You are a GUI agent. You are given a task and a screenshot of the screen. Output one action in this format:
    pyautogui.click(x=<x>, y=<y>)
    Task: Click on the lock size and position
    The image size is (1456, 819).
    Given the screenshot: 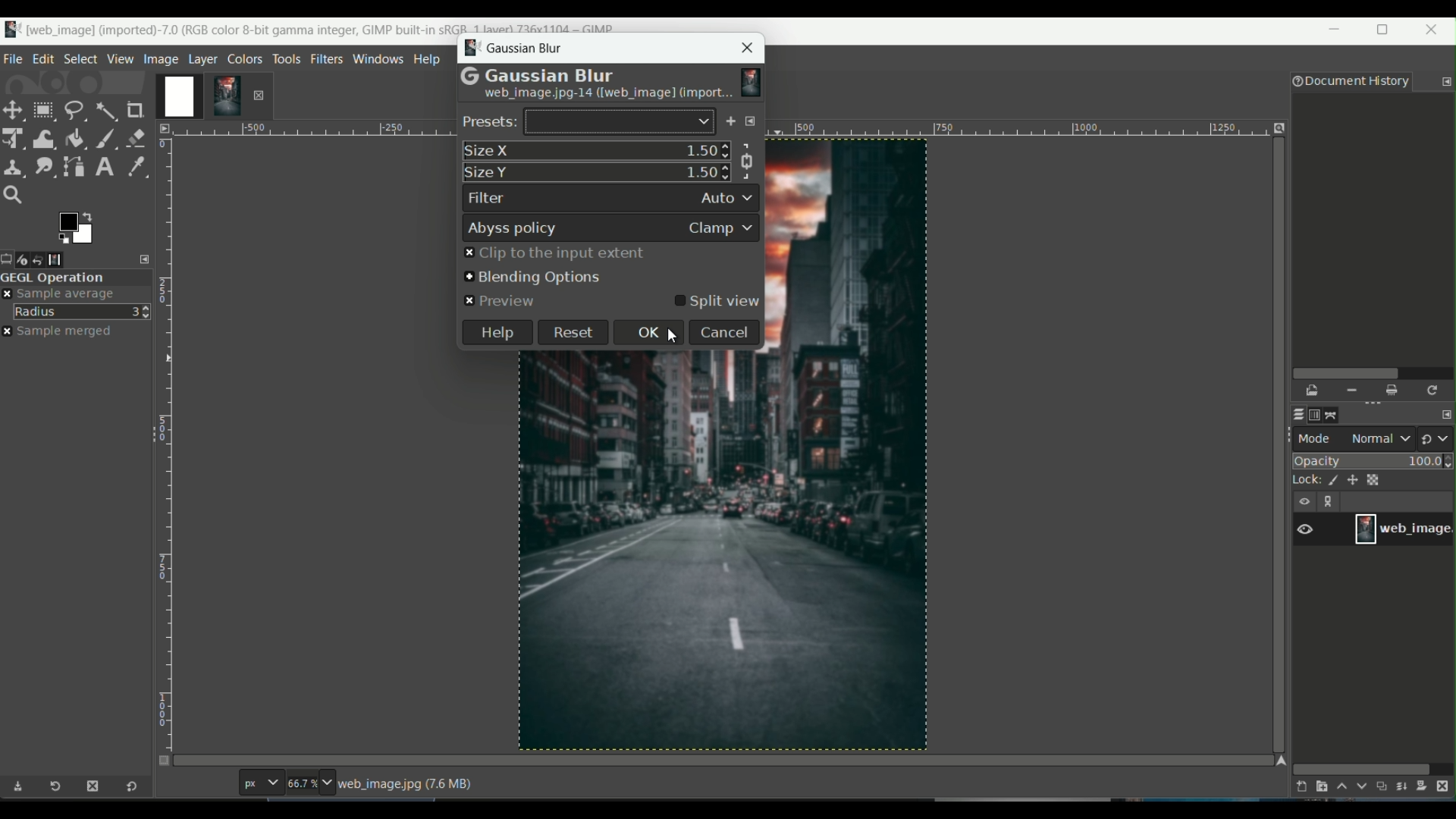 What is the action you would take?
    pyautogui.click(x=1353, y=481)
    